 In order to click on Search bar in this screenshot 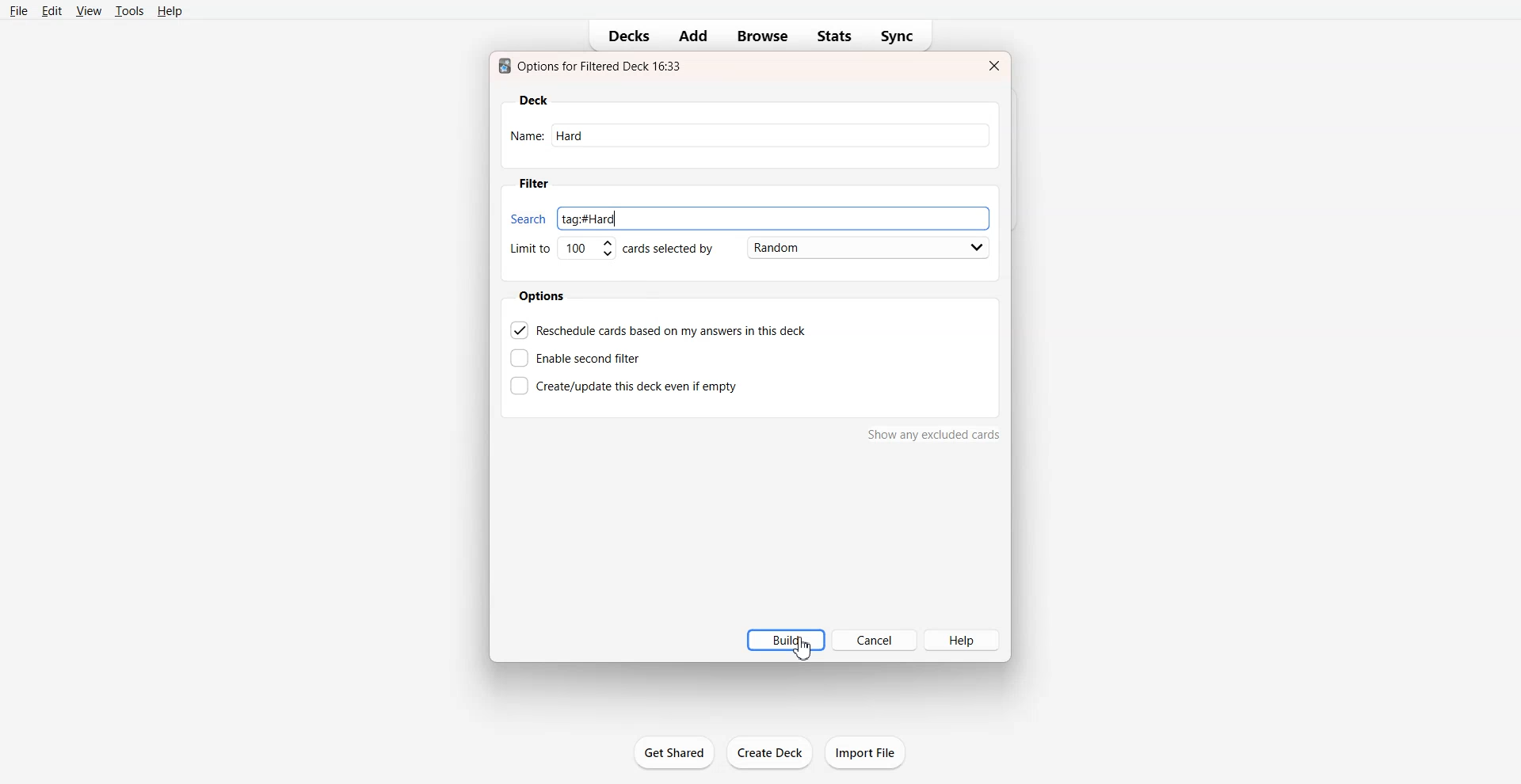, I will do `click(745, 215)`.